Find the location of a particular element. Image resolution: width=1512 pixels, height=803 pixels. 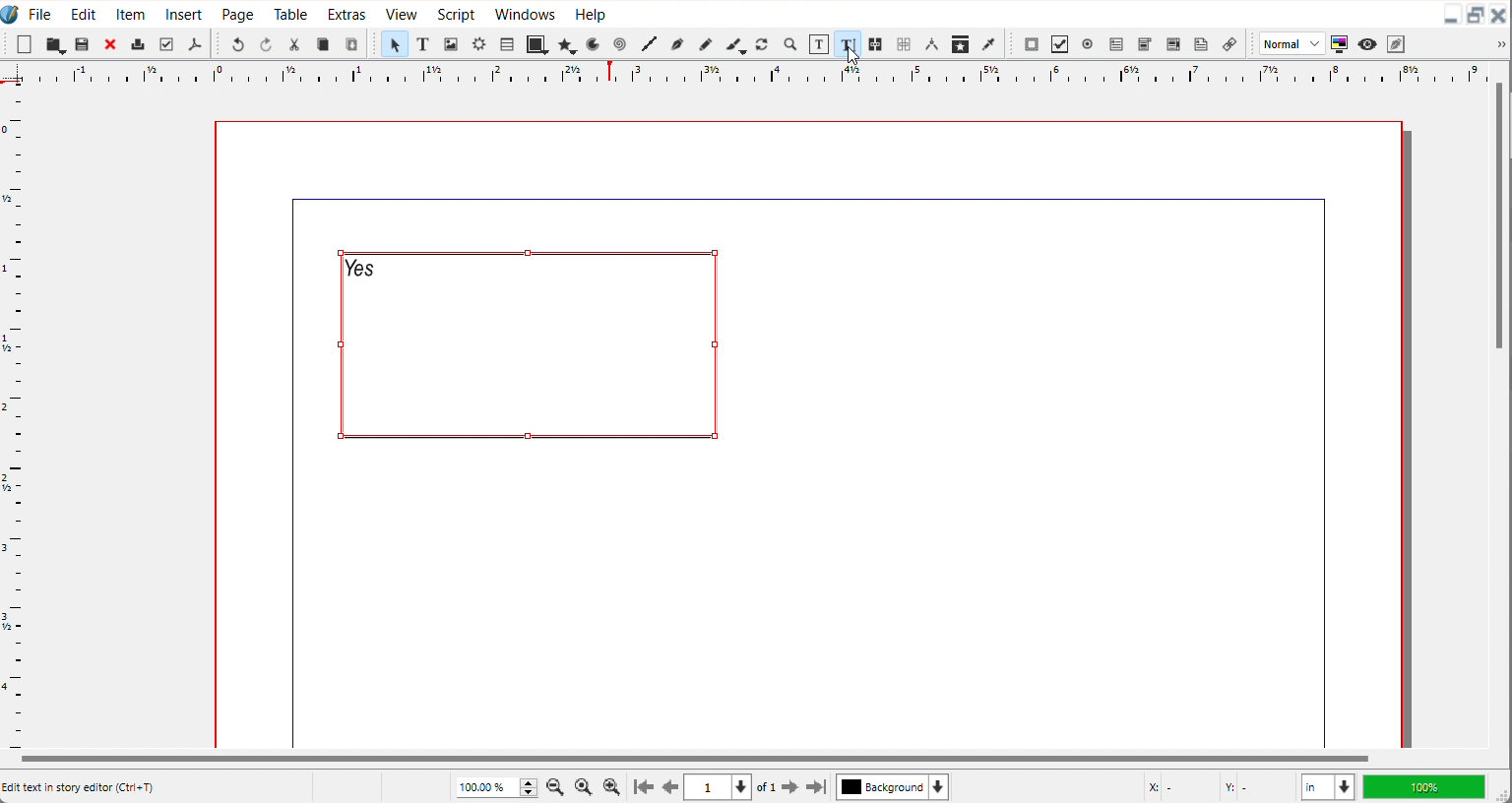

Preview is located at coordinates (1368, 44).